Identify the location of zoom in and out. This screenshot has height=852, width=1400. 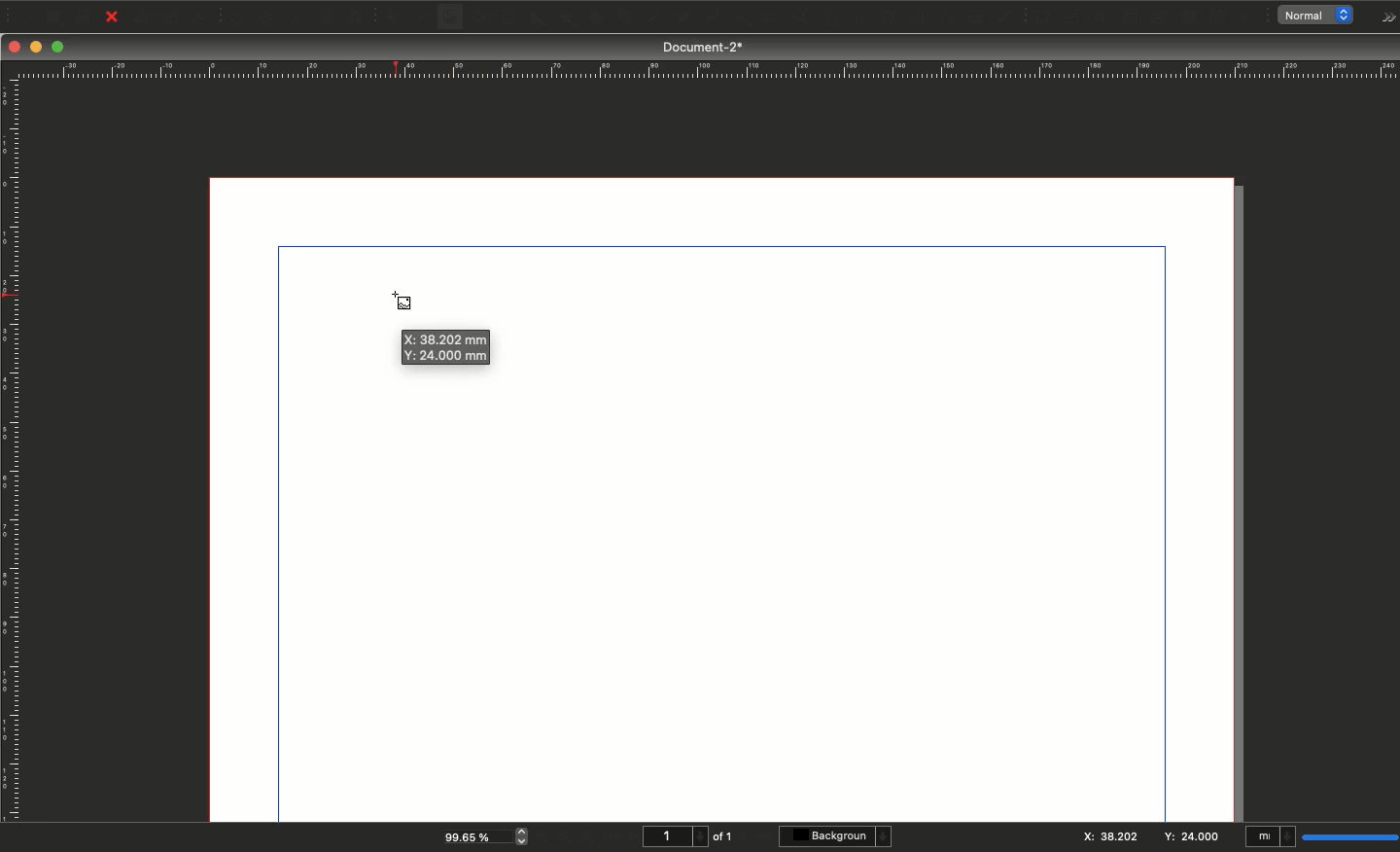
(525, 835).